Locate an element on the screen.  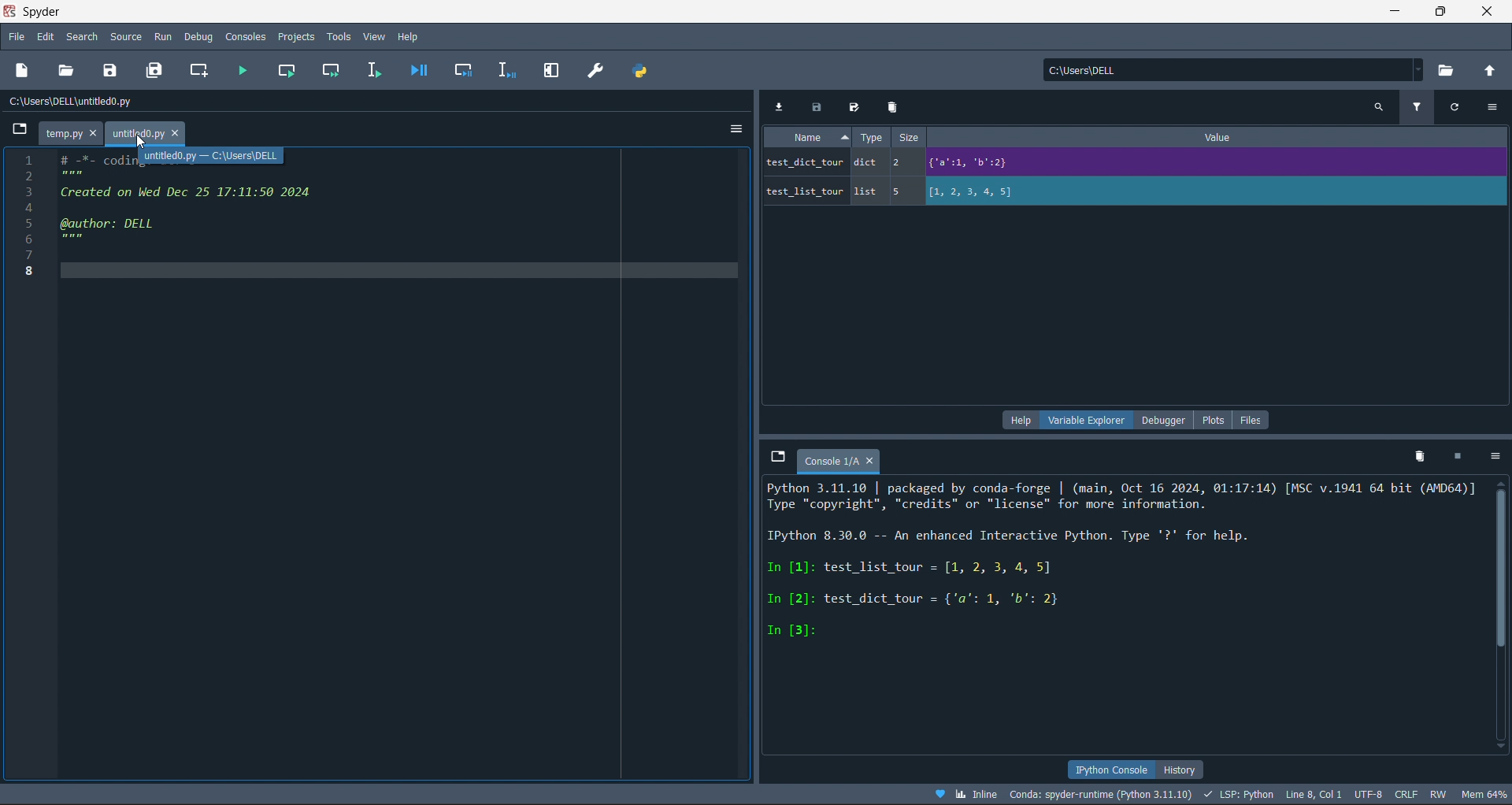
CRLF is located at coordinates (1404, 796).